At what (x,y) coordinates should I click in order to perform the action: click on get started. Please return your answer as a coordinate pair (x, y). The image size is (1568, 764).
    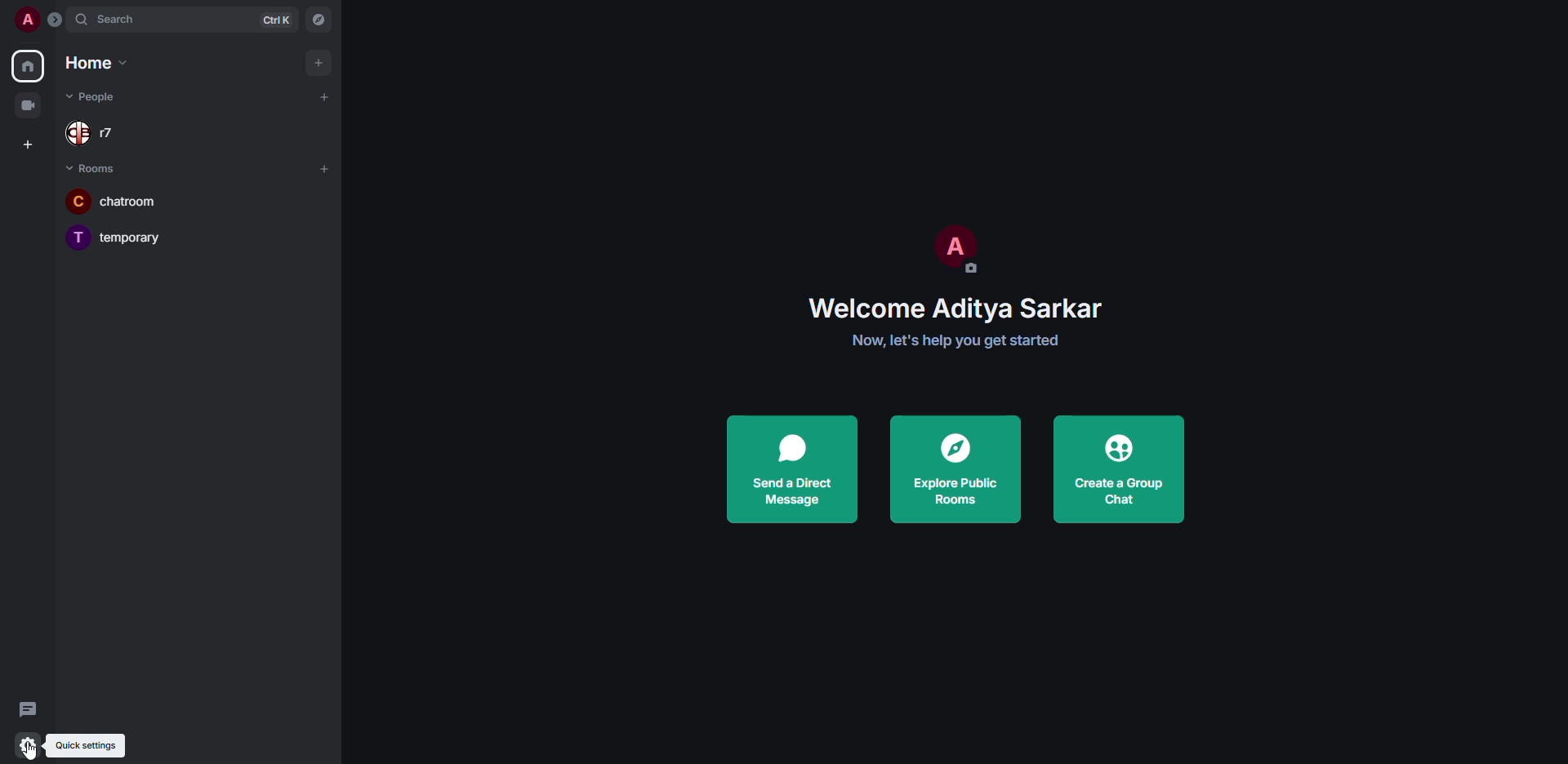
    Looking at the image, I should click on (956, 340).